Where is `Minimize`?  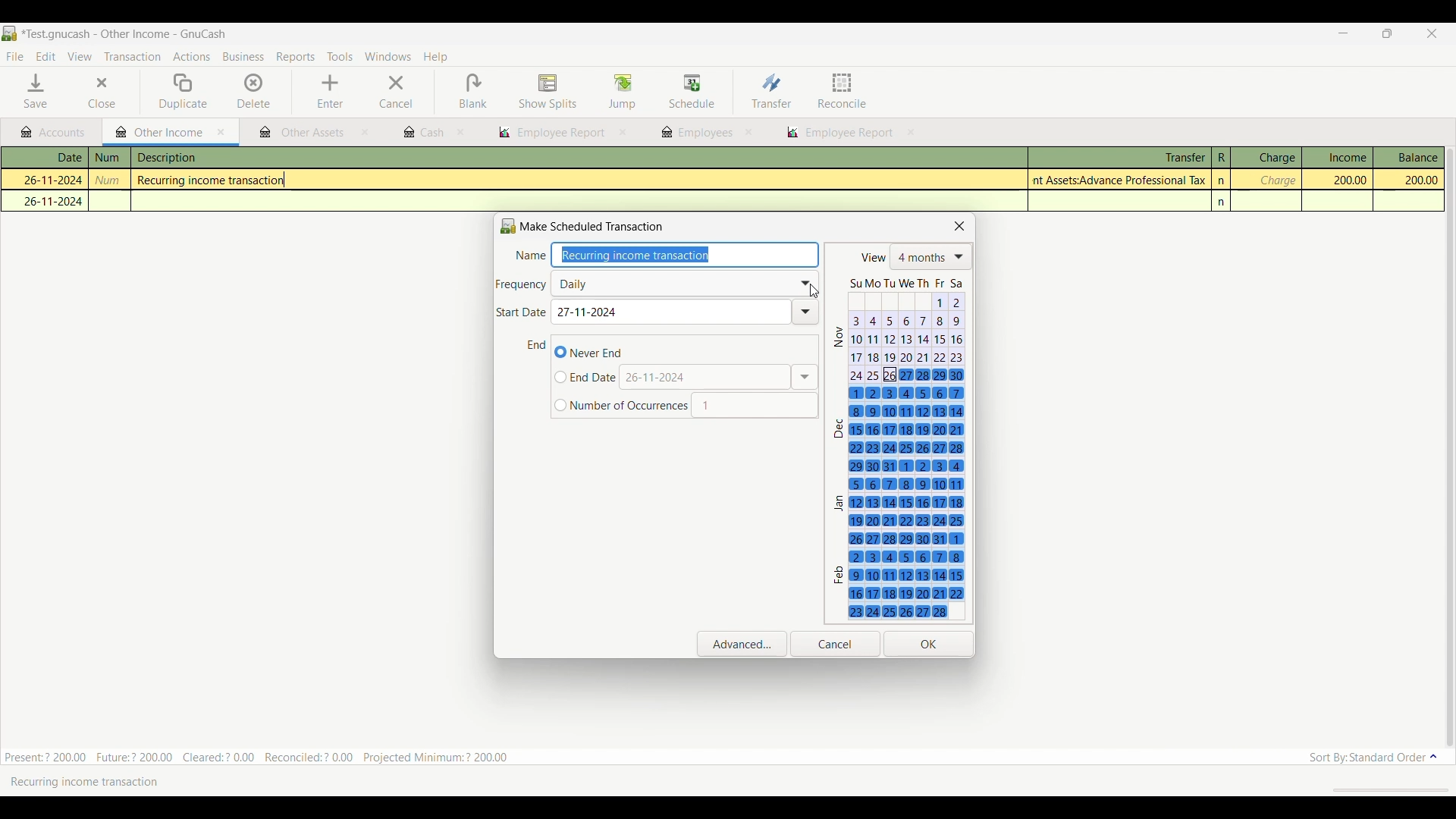
Minimize is located at coordinates (1341, 34).